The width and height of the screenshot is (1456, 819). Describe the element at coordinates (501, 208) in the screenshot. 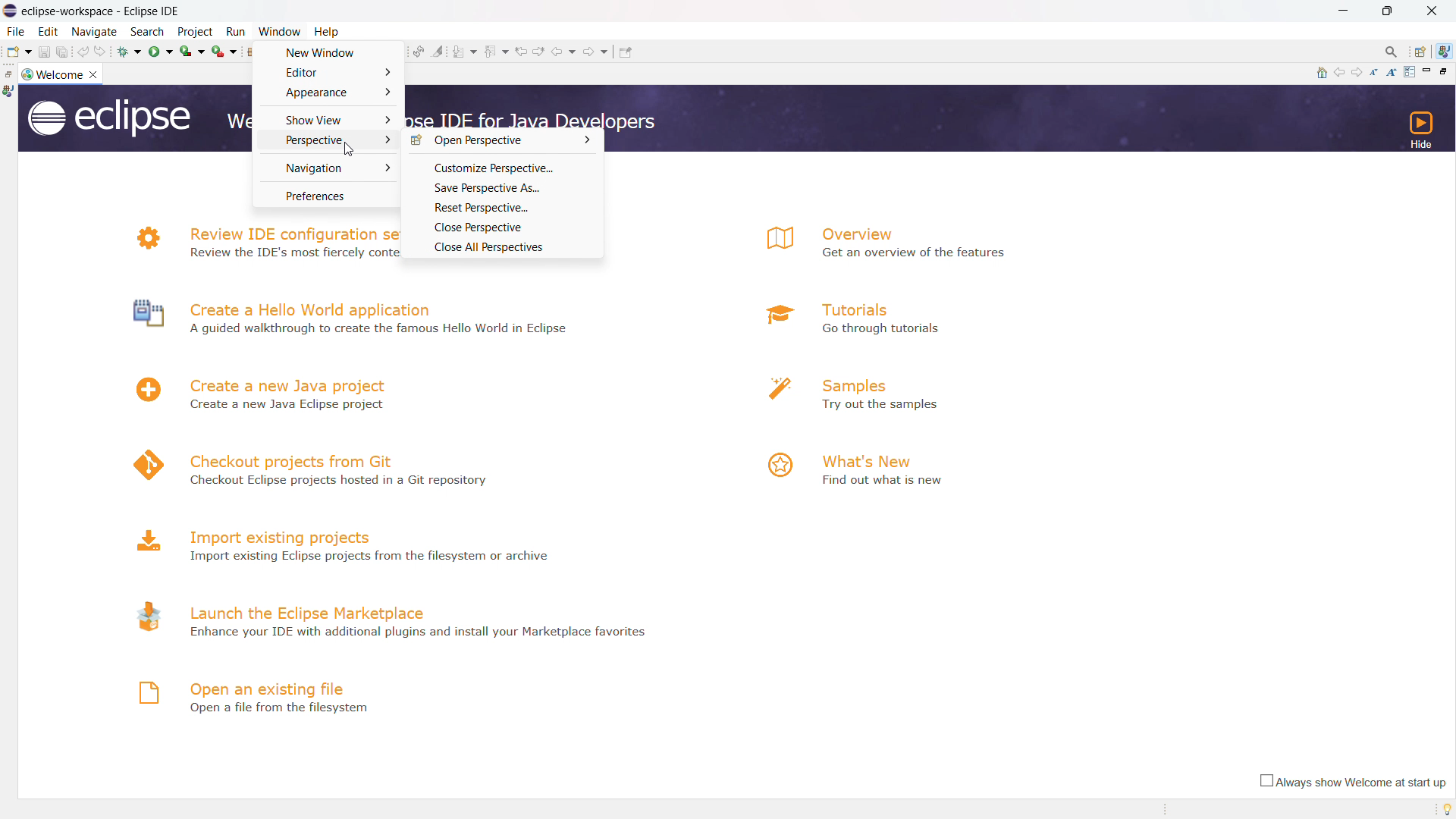

I see `reset perspective` at that location.